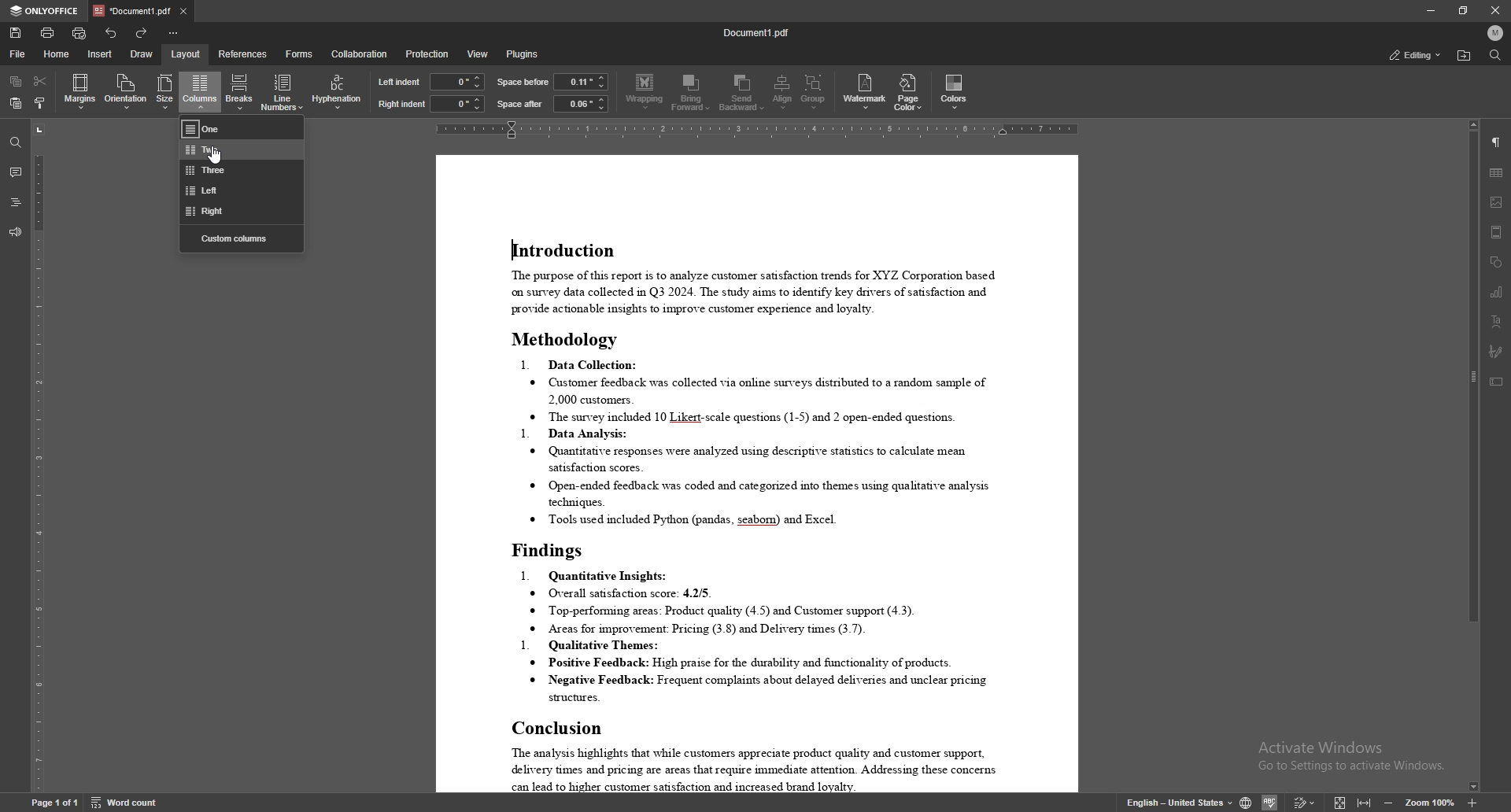 This screenshot has width=1511, height=812. I want to click on word count, so click(124, 802).